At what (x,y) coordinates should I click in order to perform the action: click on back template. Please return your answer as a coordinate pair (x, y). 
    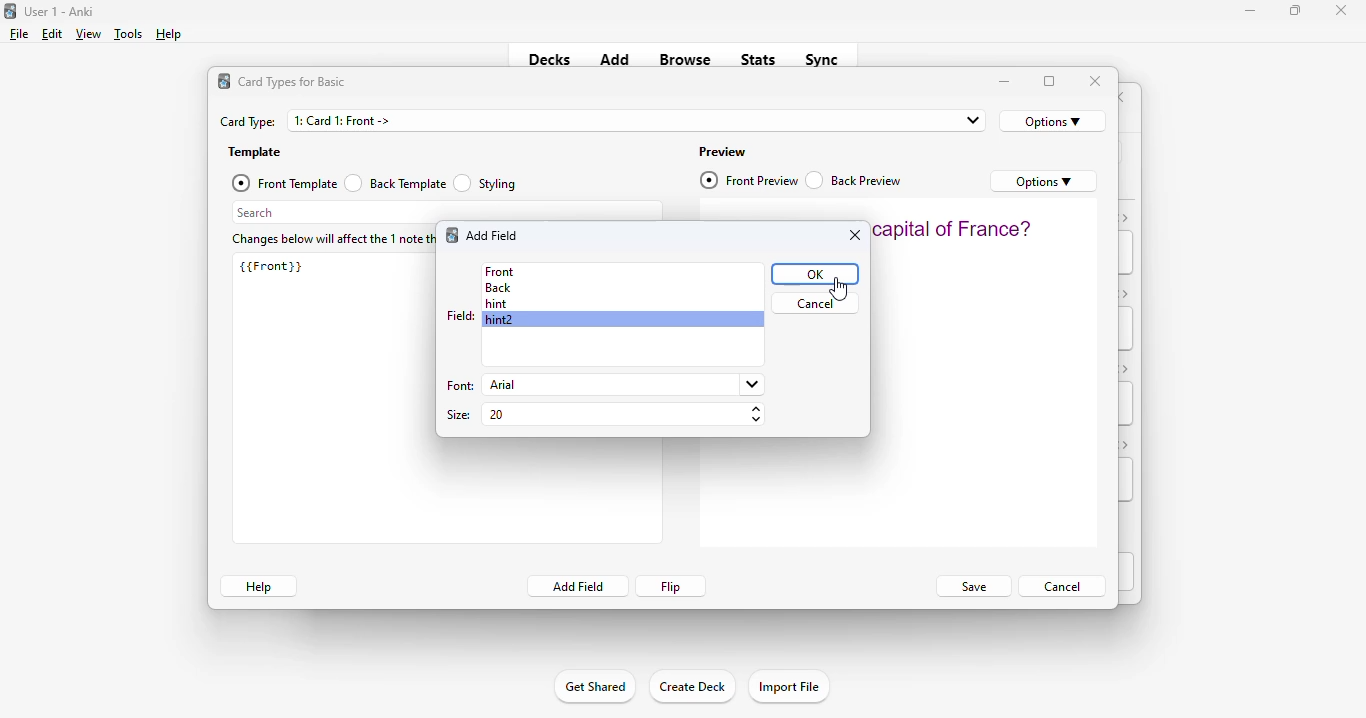
    Looking at the image, I should click on (395, 183).